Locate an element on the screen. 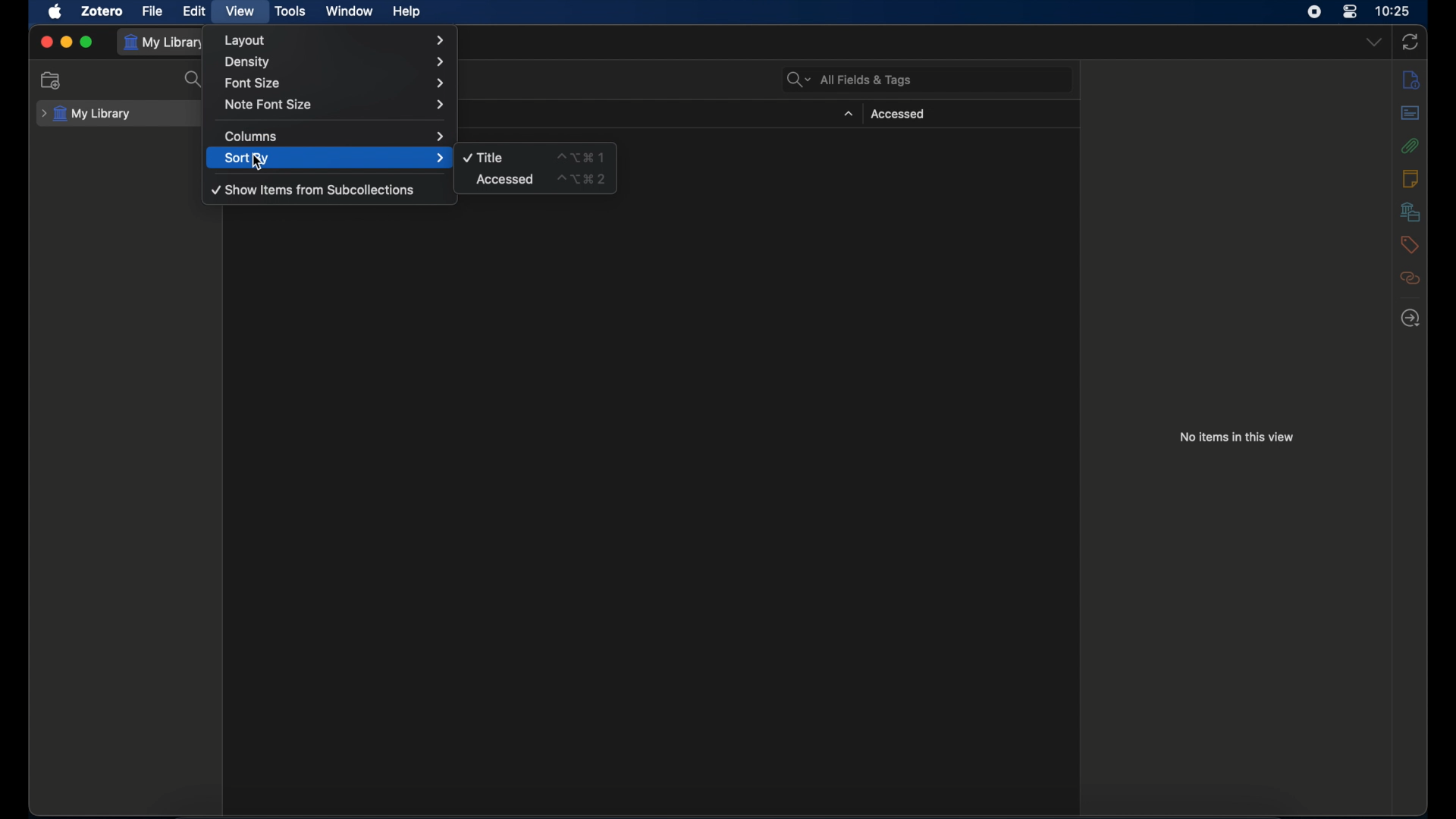 The width and height of the screenshot is (1456, 819). time is located at coordinates (1393, 10).